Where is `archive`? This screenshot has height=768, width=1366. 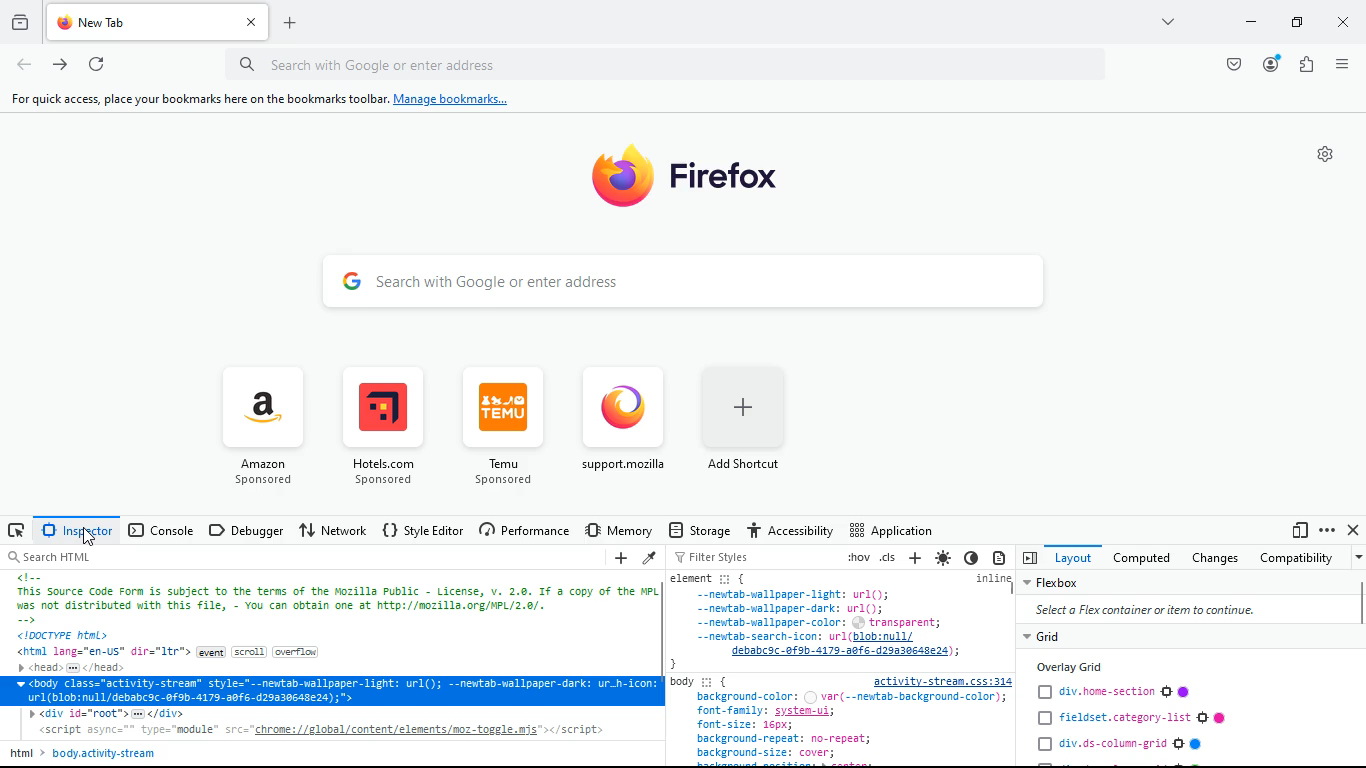 archive is located at coordinates (18, 24).